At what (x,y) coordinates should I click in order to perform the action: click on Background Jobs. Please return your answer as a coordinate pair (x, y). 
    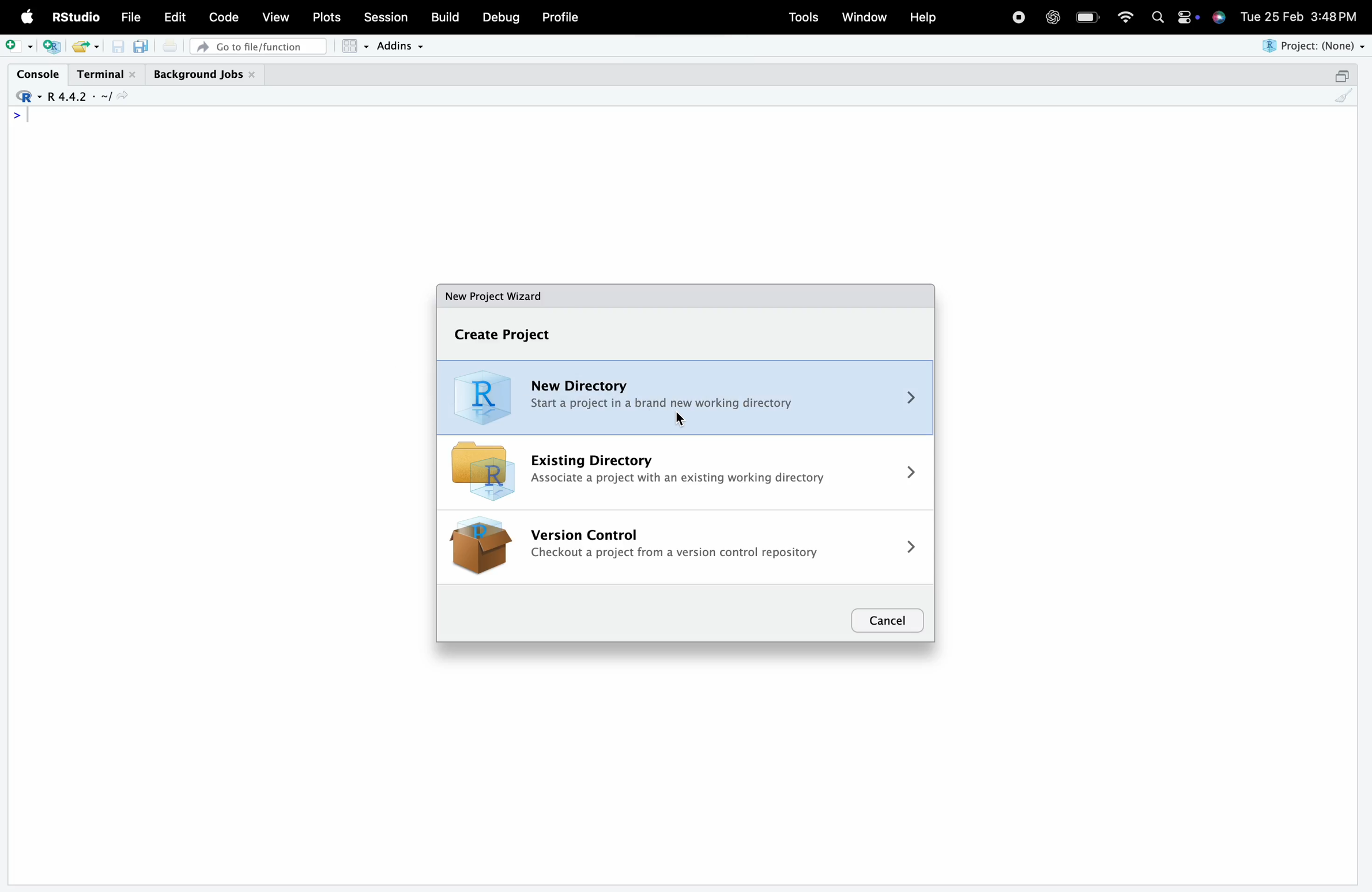
    Looking at the image, I should click on (205, 75).